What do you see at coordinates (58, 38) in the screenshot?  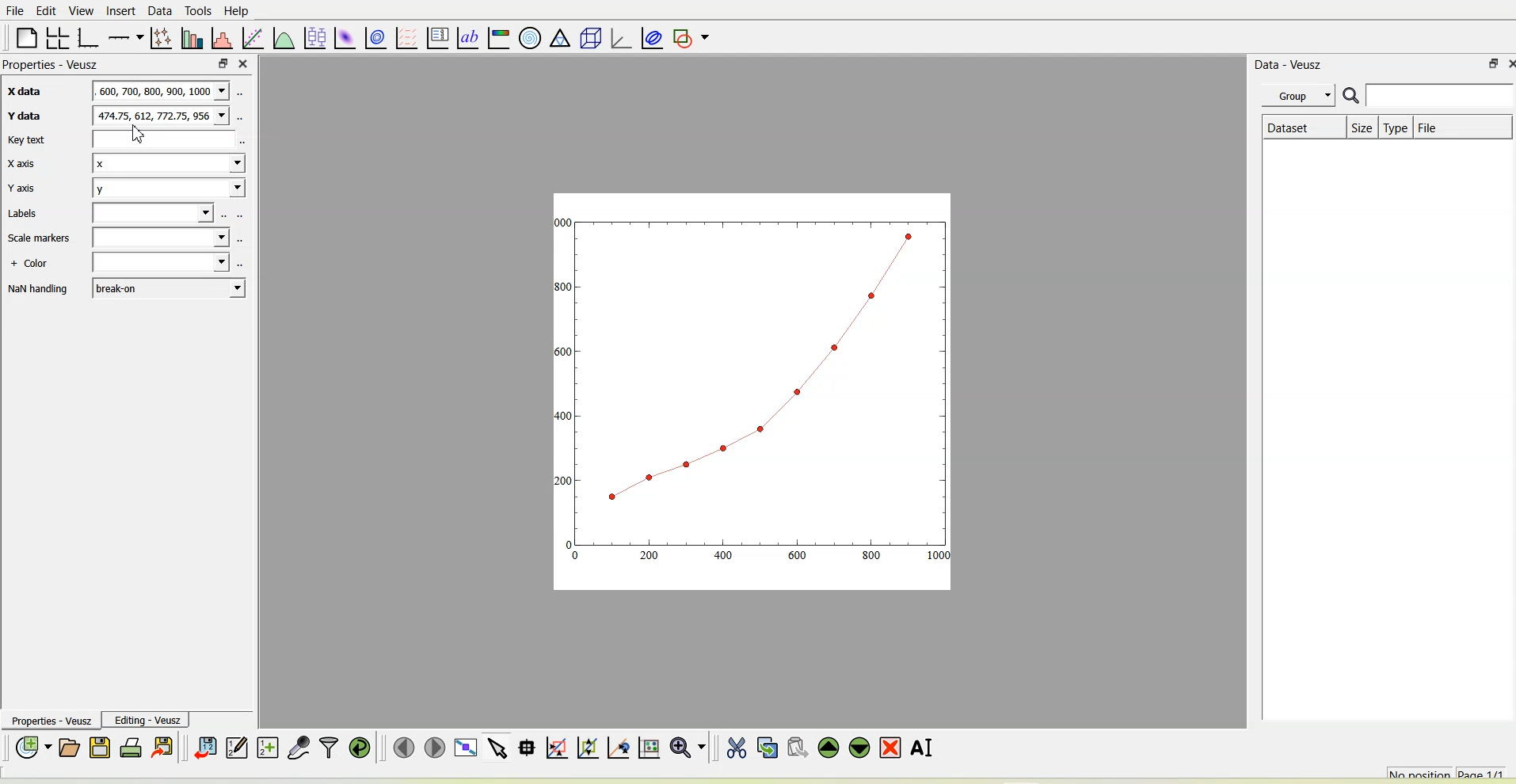 I see `Arrange graphs in a grid` at bounding box center [58, 38].